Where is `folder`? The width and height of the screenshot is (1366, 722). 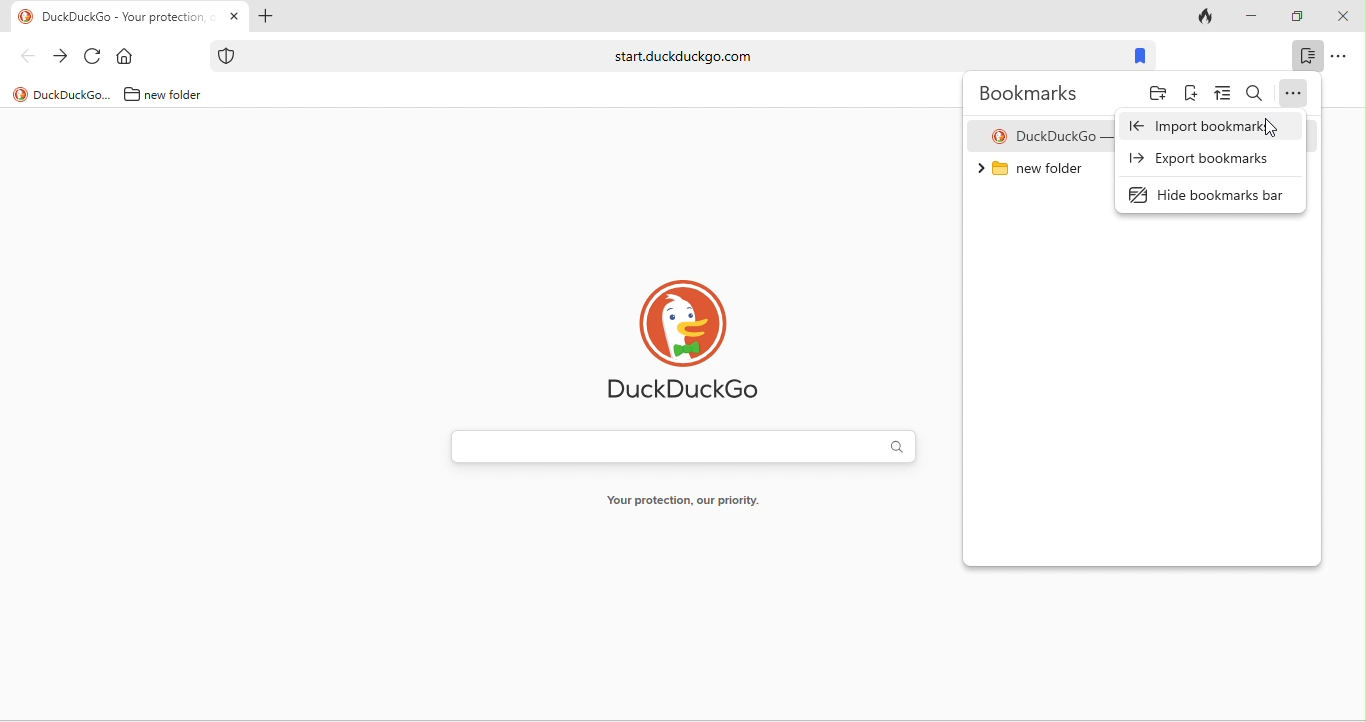
folder is located at coordinates (1158, 96).